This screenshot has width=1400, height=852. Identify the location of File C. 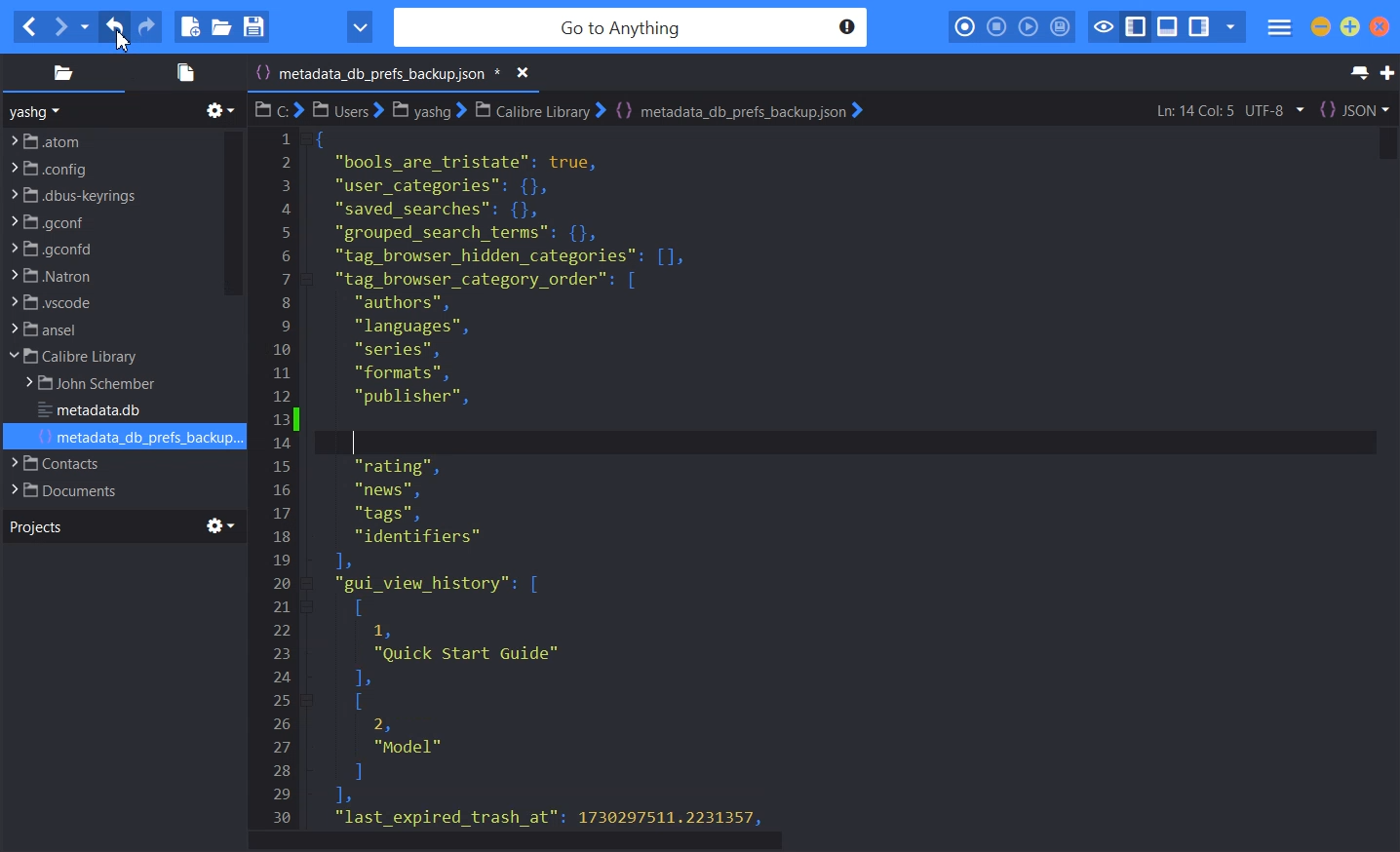
(278, 109).